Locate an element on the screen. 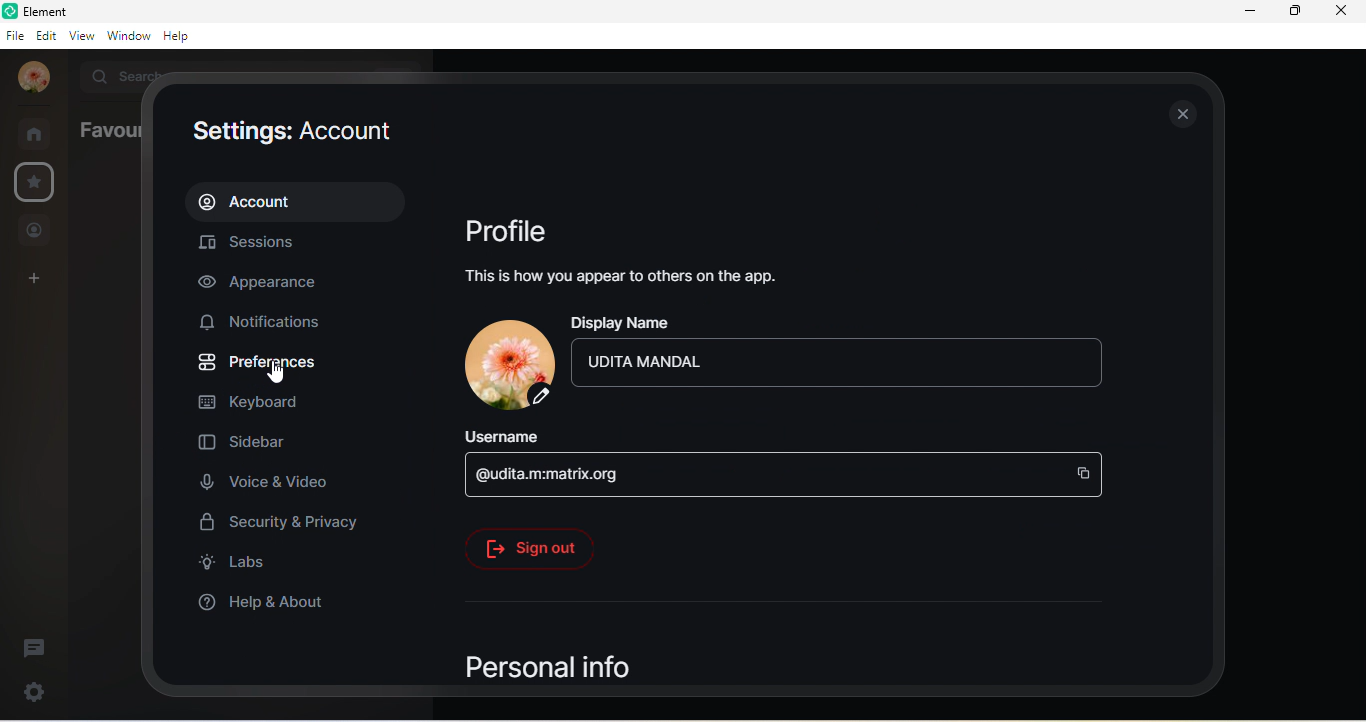  people is located at coordinates (37, 230).